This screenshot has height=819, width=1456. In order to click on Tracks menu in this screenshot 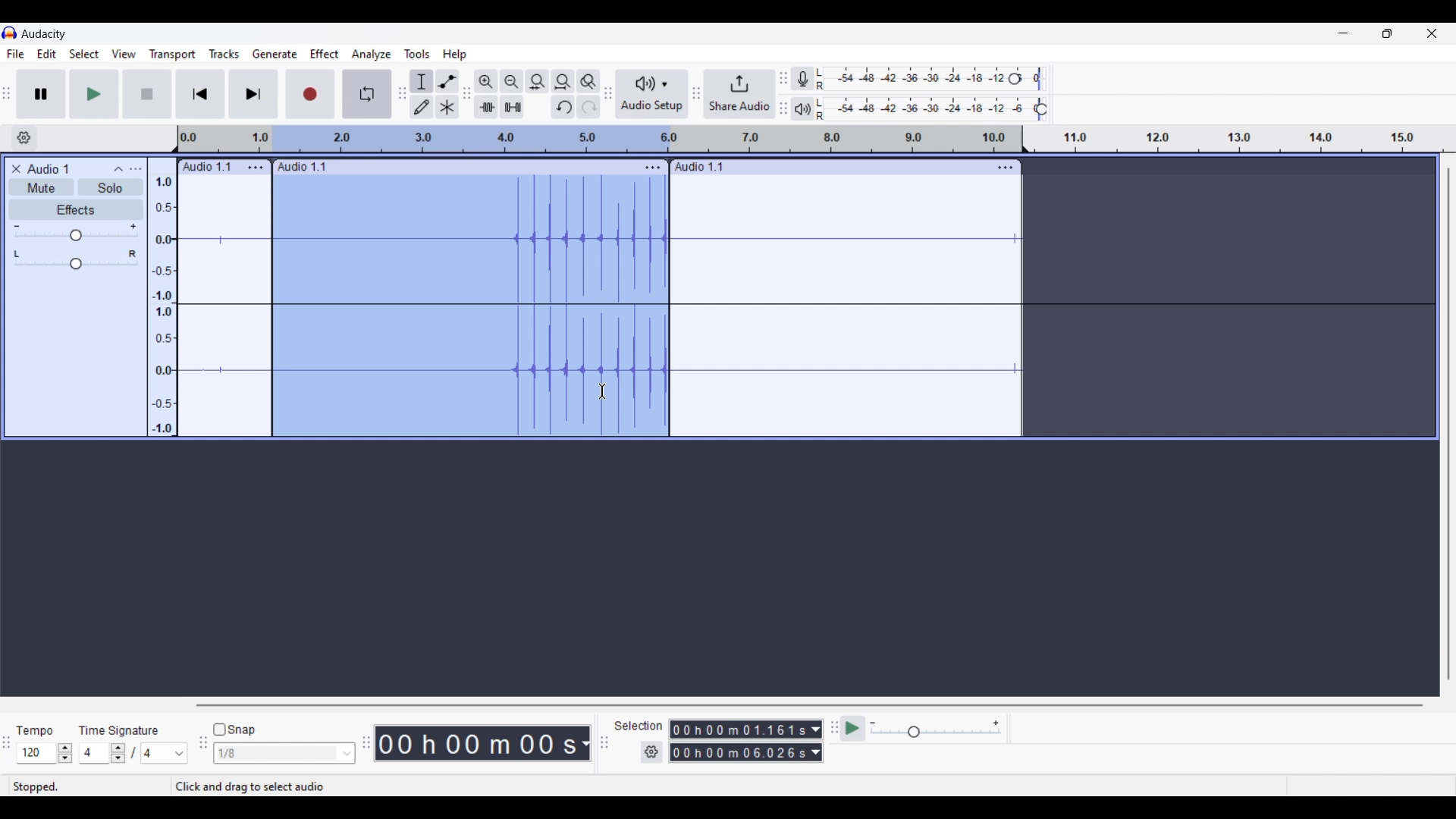, I will do `click(224, 54)`.